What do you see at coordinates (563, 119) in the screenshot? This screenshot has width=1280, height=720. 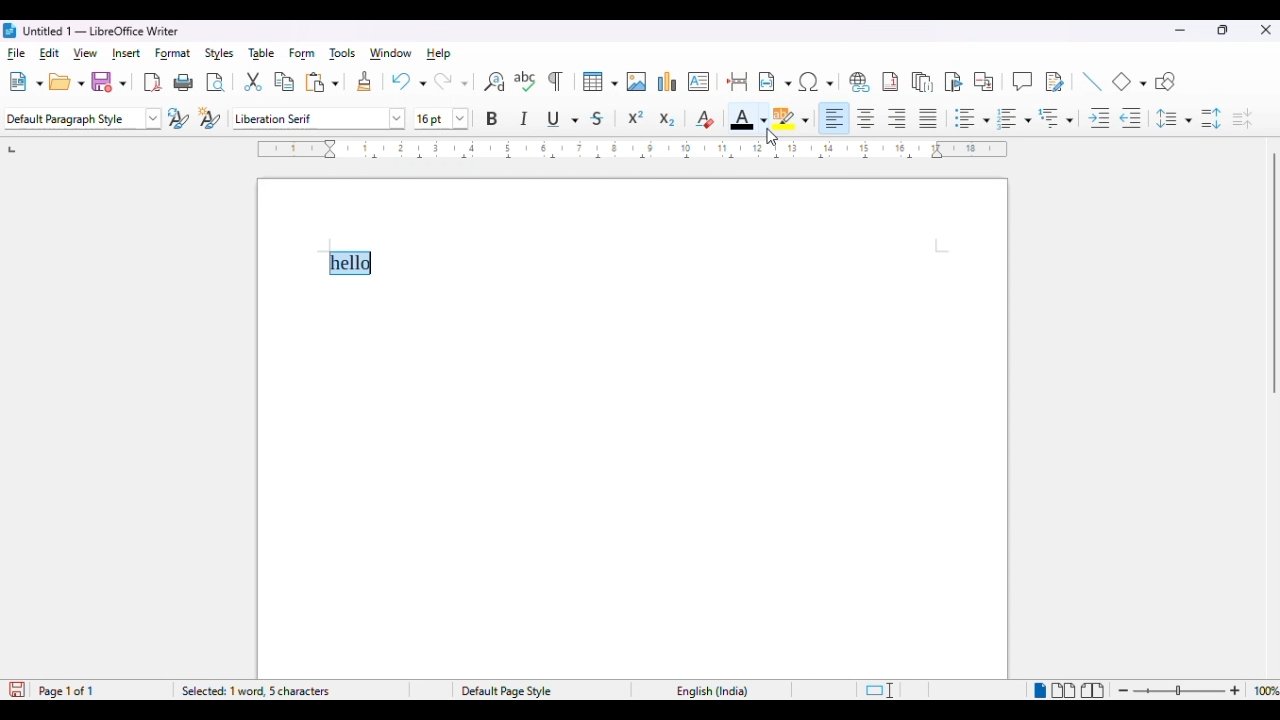 I see `underline` at bounding box center [563, 119].